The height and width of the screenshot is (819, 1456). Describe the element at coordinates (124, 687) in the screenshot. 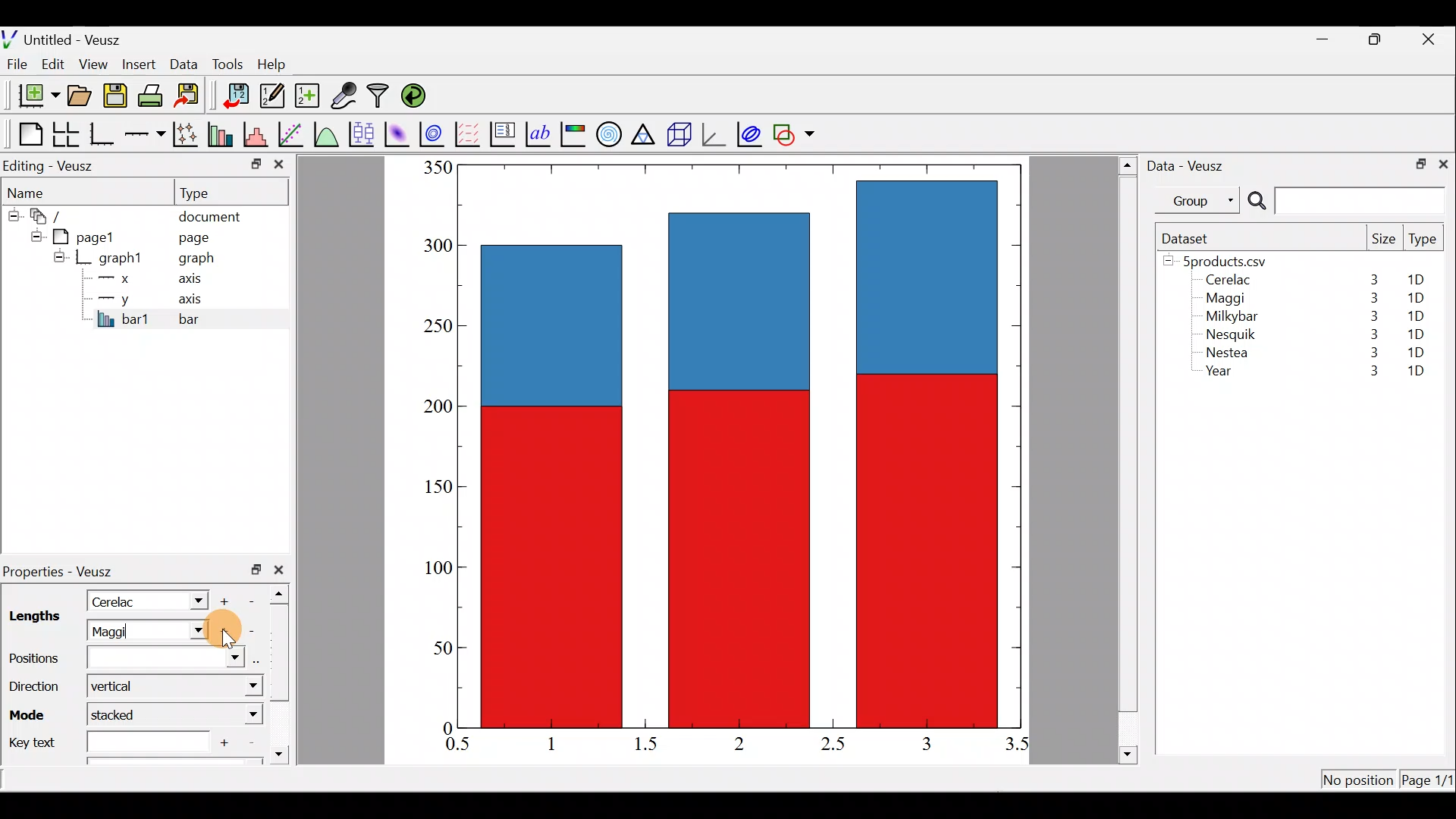

I see `Vertical` at that location.